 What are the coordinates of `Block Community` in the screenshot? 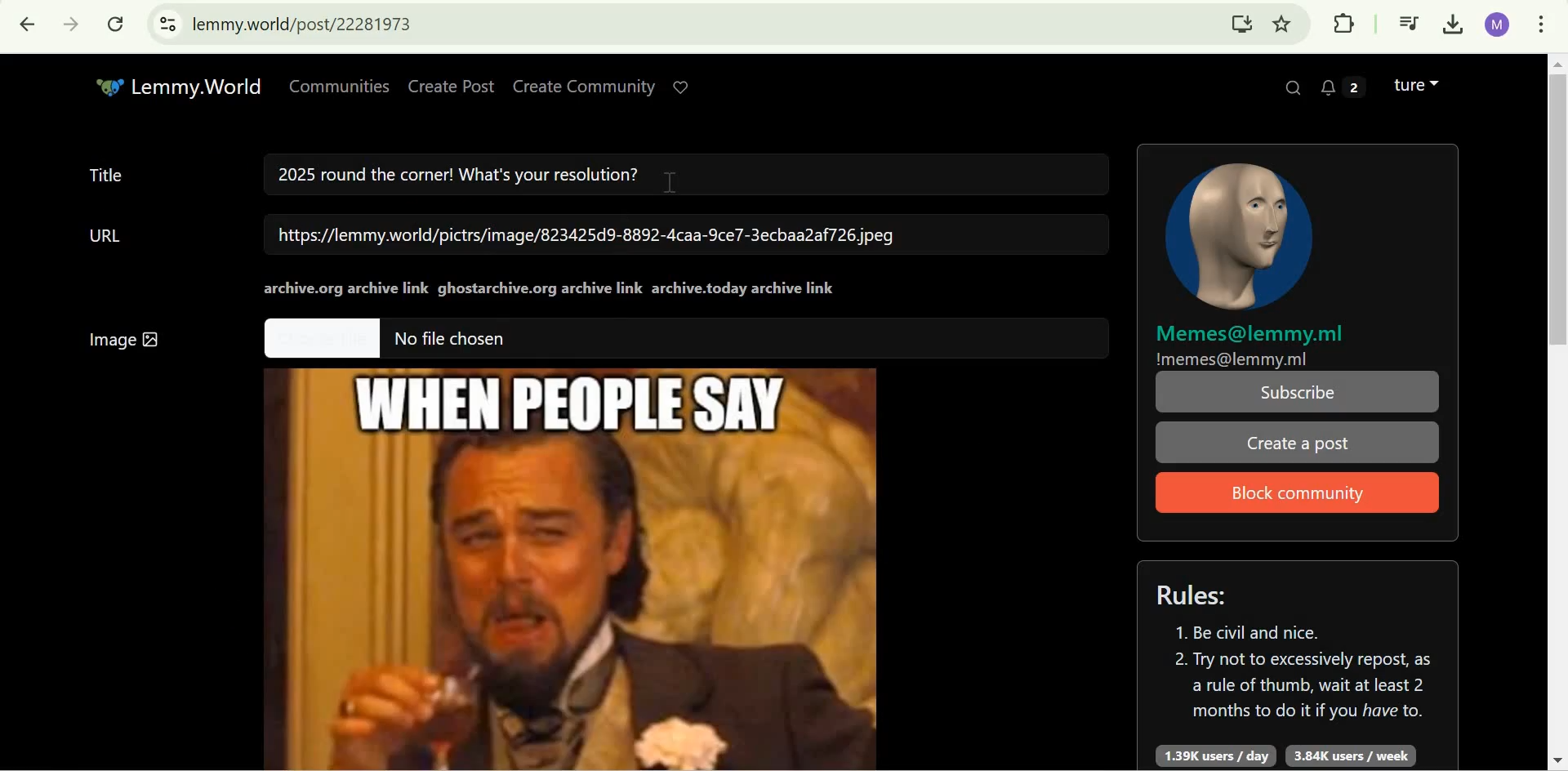 It's located at (1297, 493).